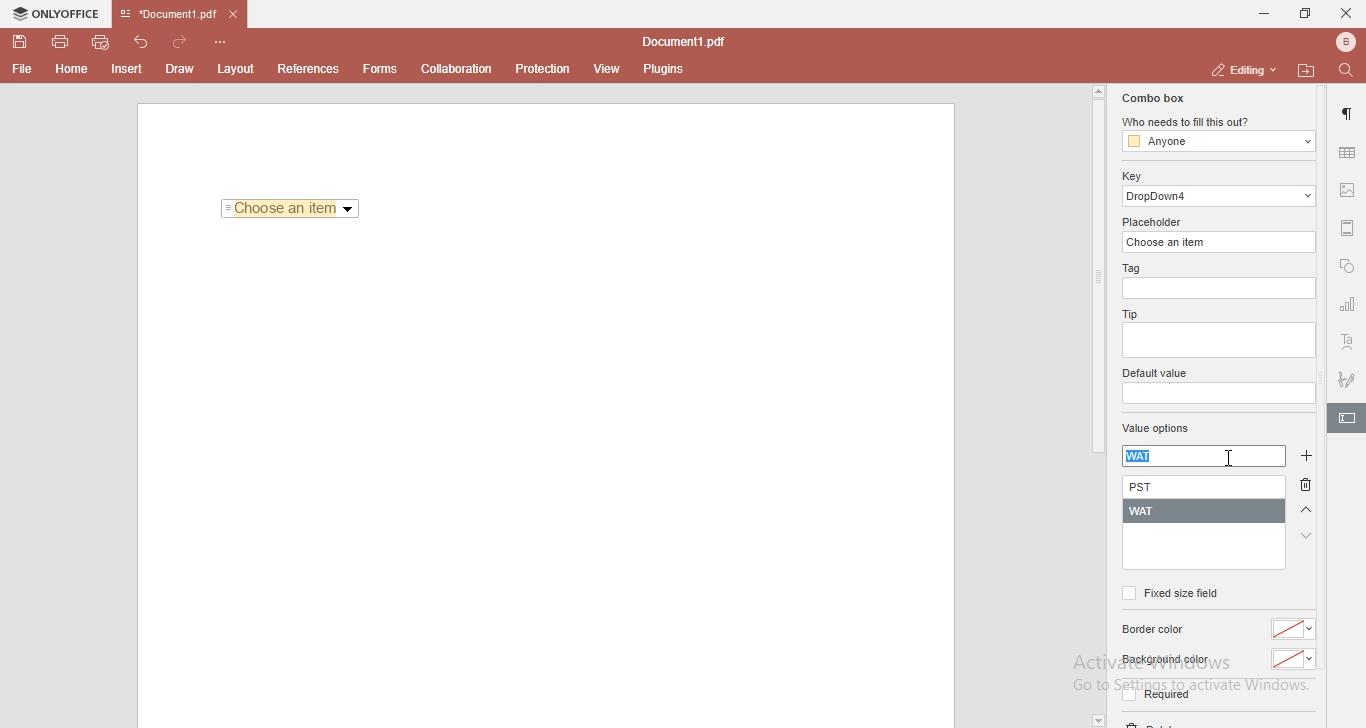 The height and width of the screenshot is (728, 1366). I want to click on fixed size field, so click(1169, 593).